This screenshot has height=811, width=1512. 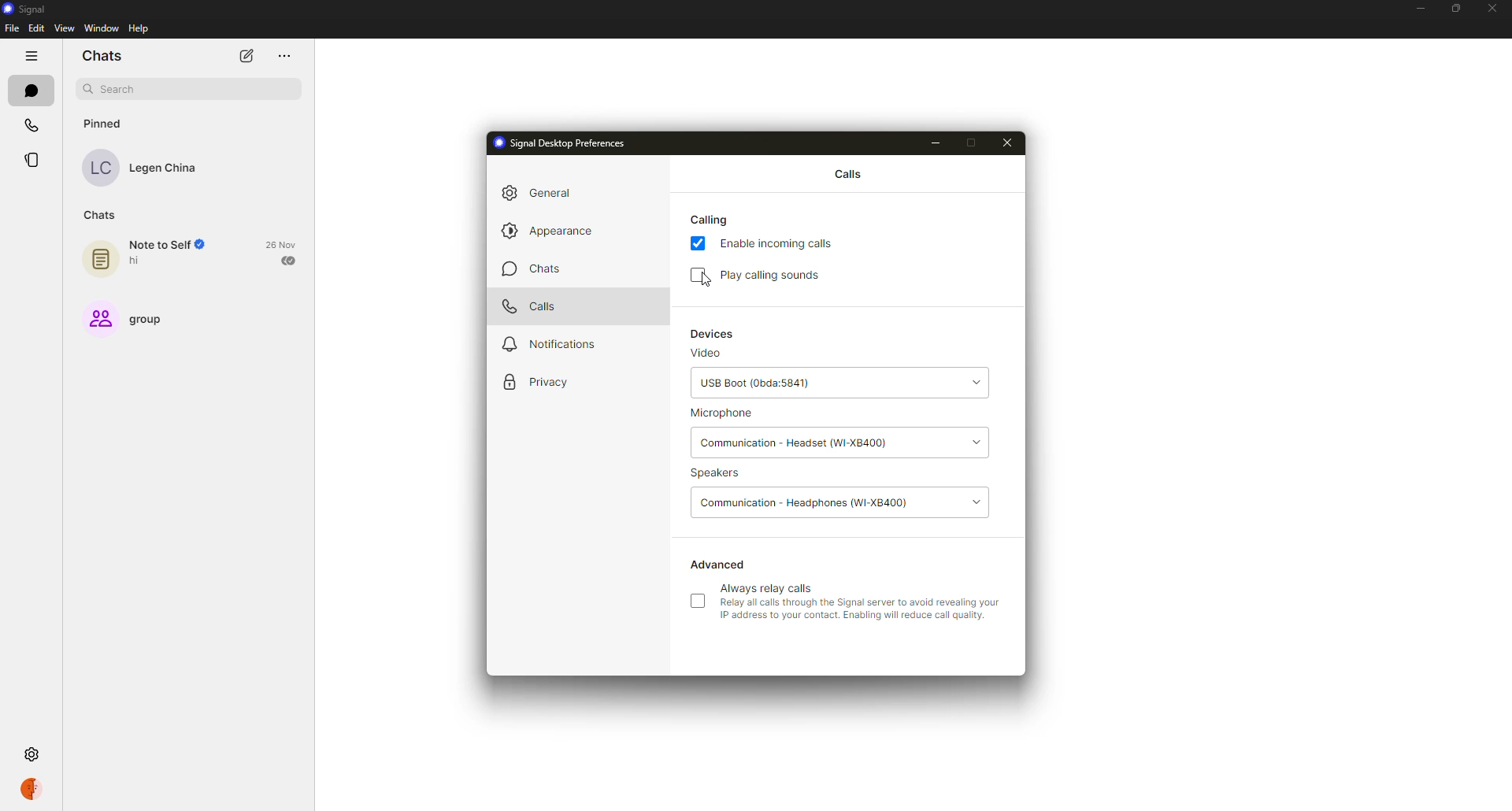 I want to click on play calling sounds, so click(x=775, y=276).